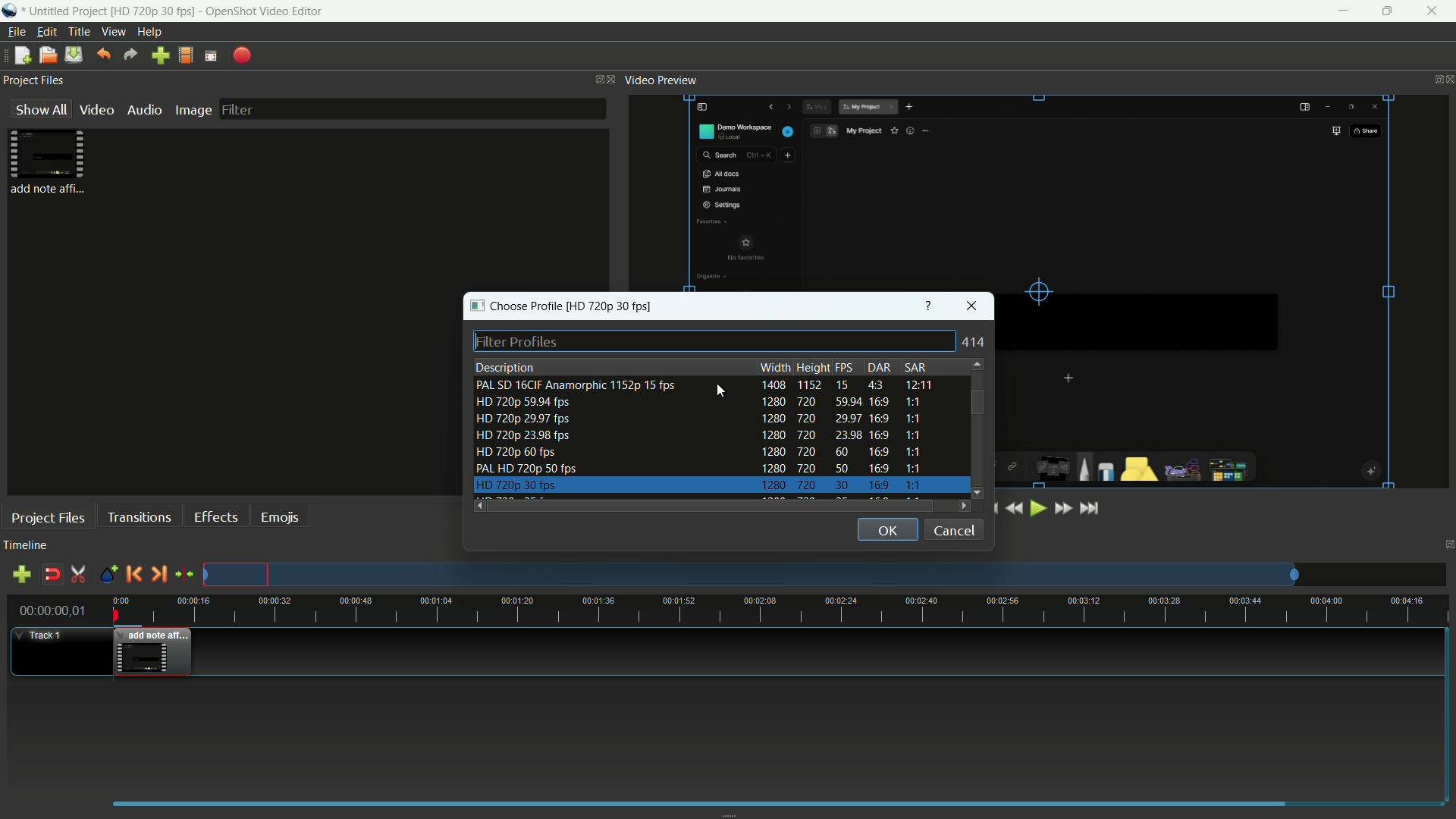 Image resolution: width=1456 pixels, height=819 pixels. I want to click on app name, so click(10, 11).